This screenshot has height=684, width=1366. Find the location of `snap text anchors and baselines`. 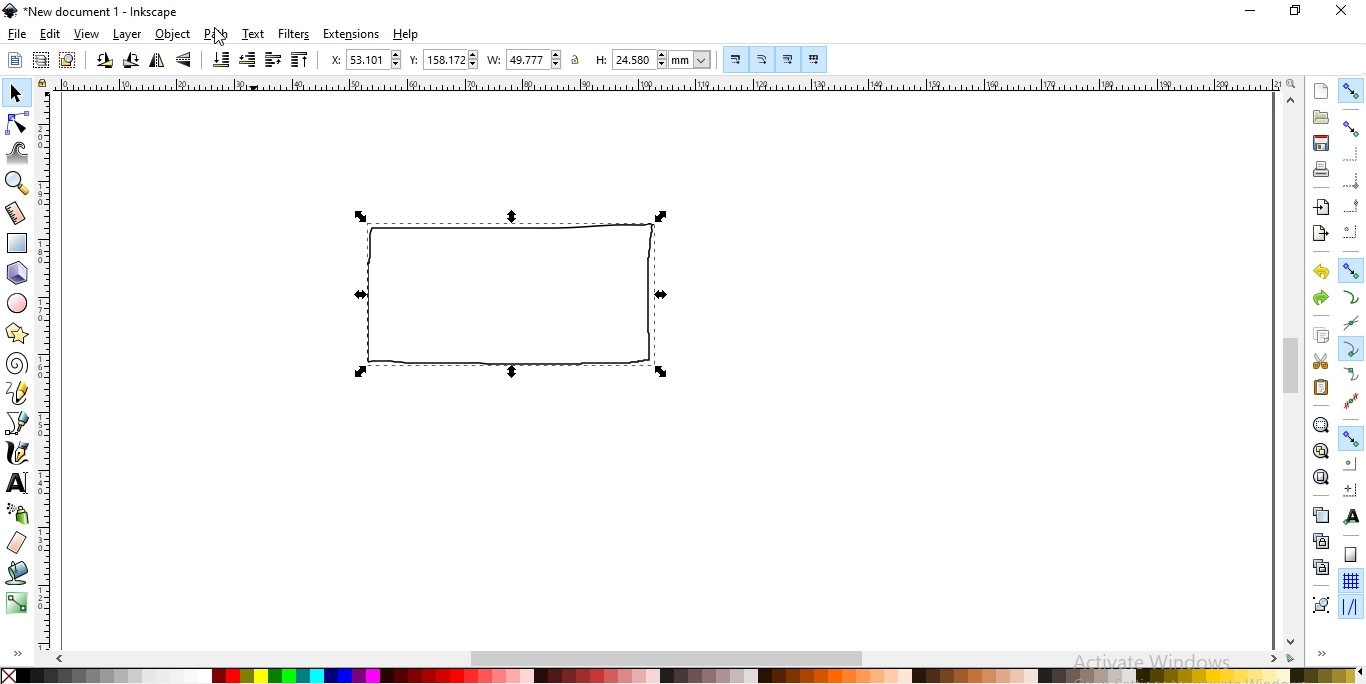

snap text anchors and baselines is located at coordinates (1353, 517).